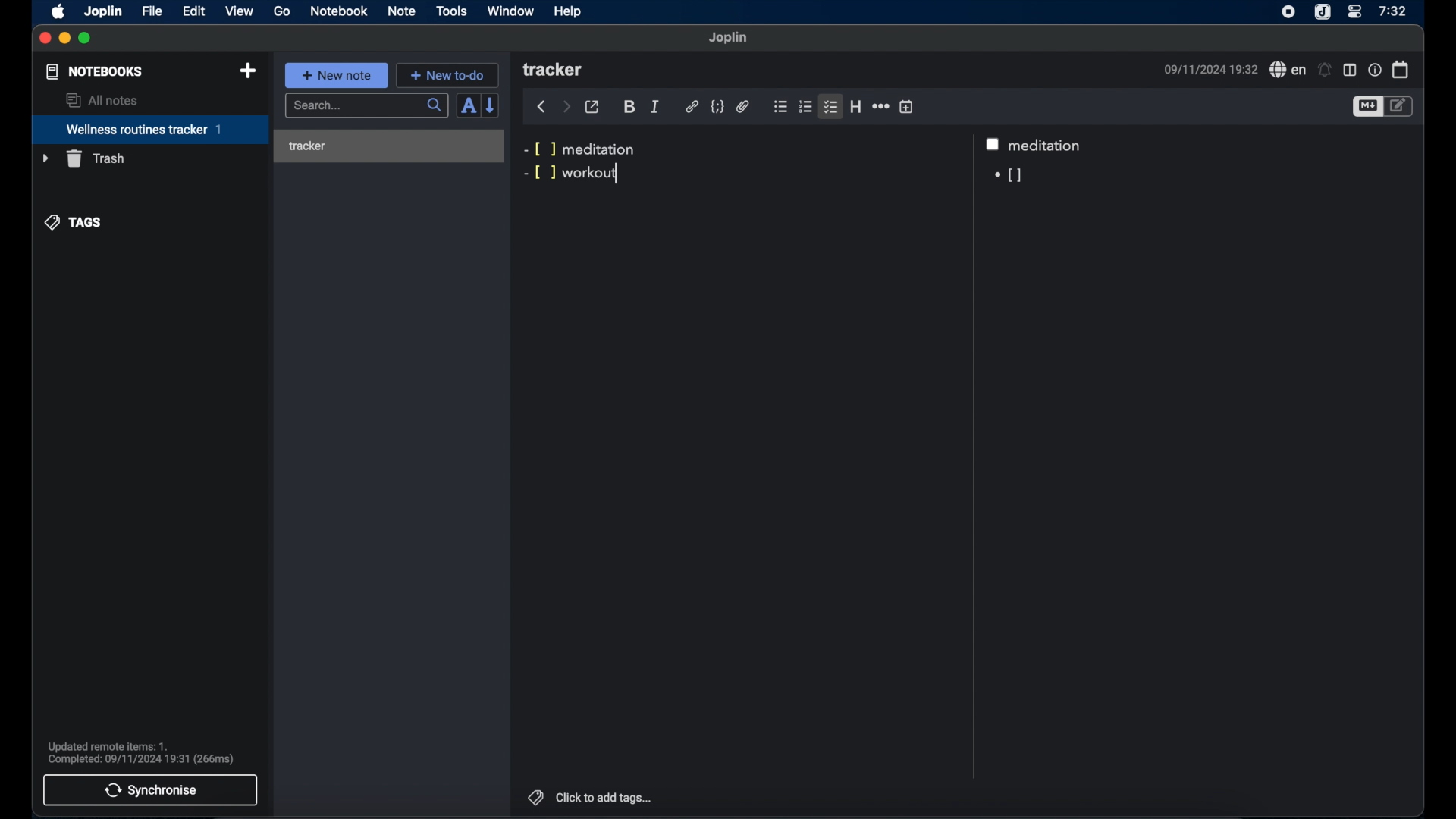 This screenshot has height=819, width=1456. What do you see at coordinates (906, 106) in the screenshot?
I see `insert time` at bounding box center [906, 106].